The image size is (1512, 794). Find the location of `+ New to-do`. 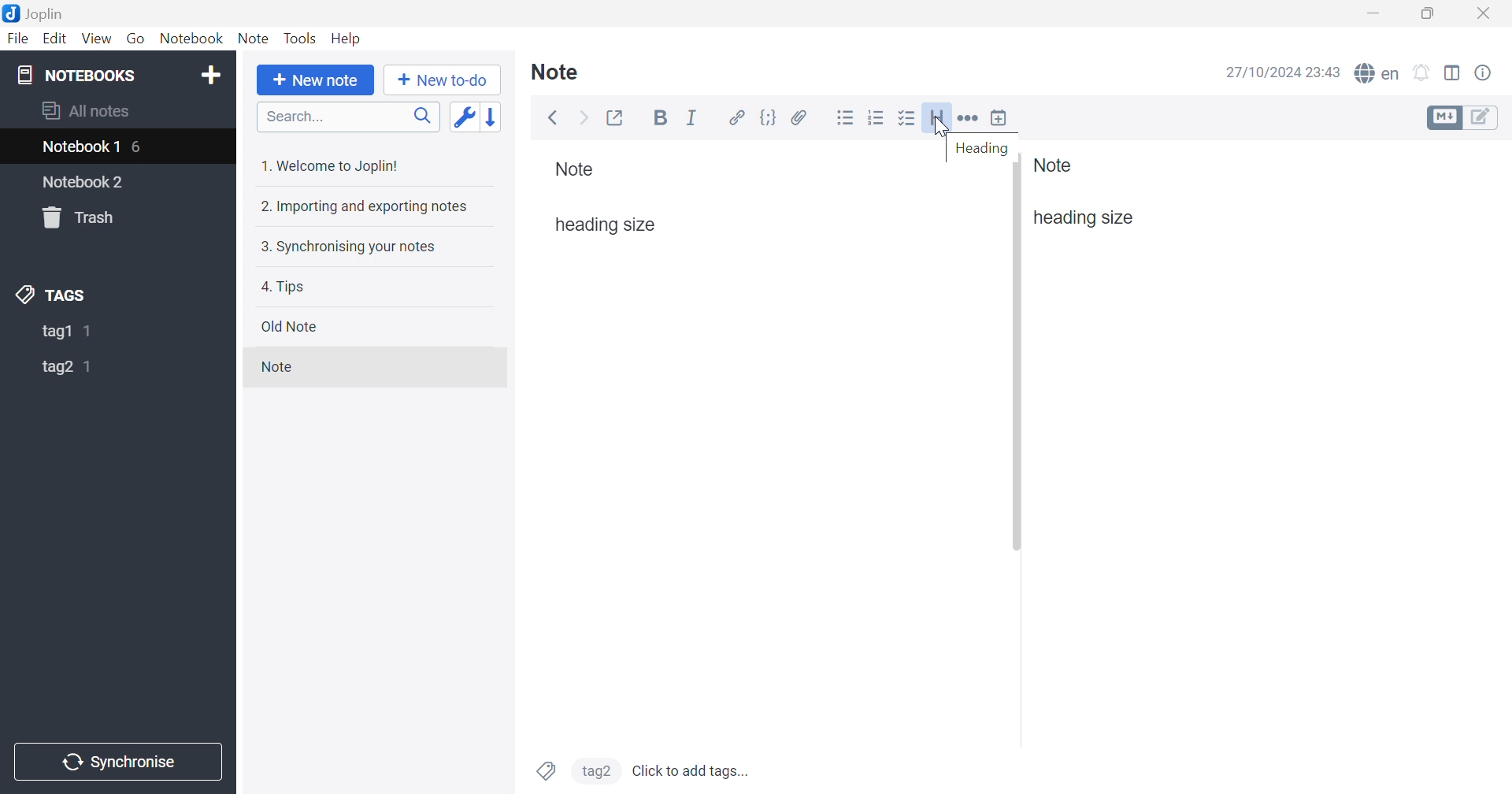

+ New to-do is located at coordinates (443, 80).